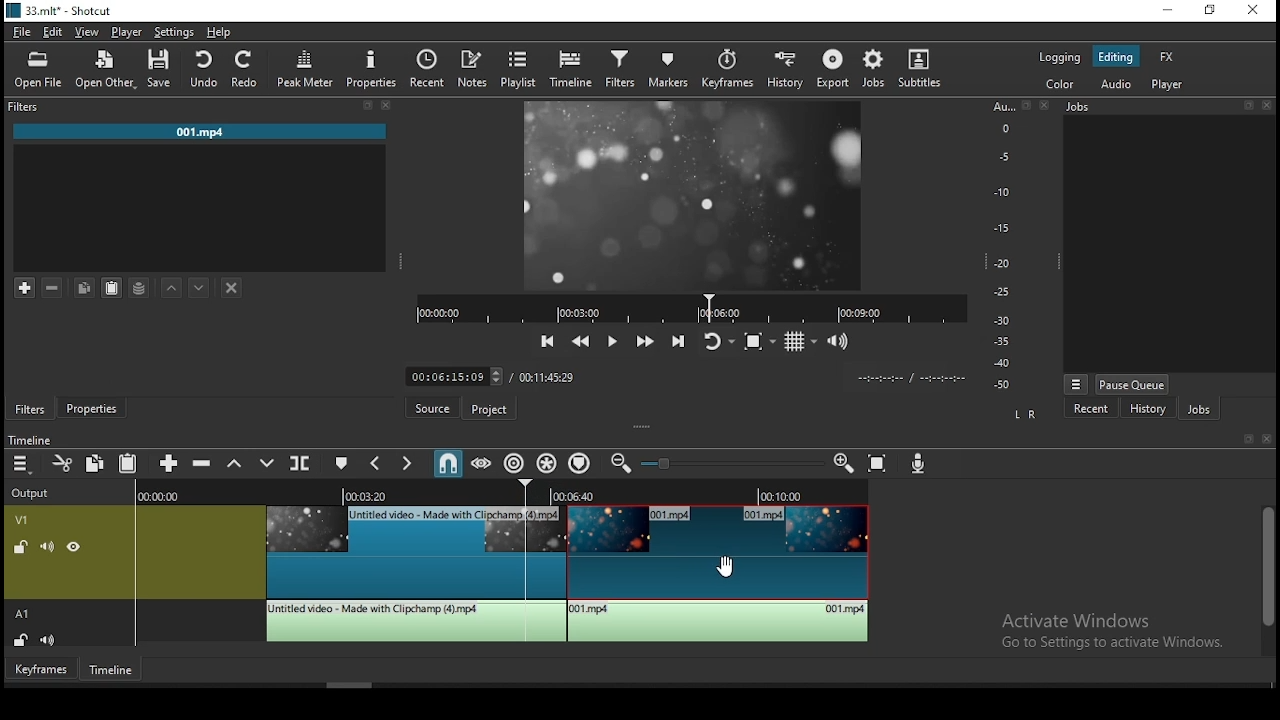  What do you see at coordinates (1061, 57) in the screenshot?
I see `logging` at bounding box center [1061, 57].